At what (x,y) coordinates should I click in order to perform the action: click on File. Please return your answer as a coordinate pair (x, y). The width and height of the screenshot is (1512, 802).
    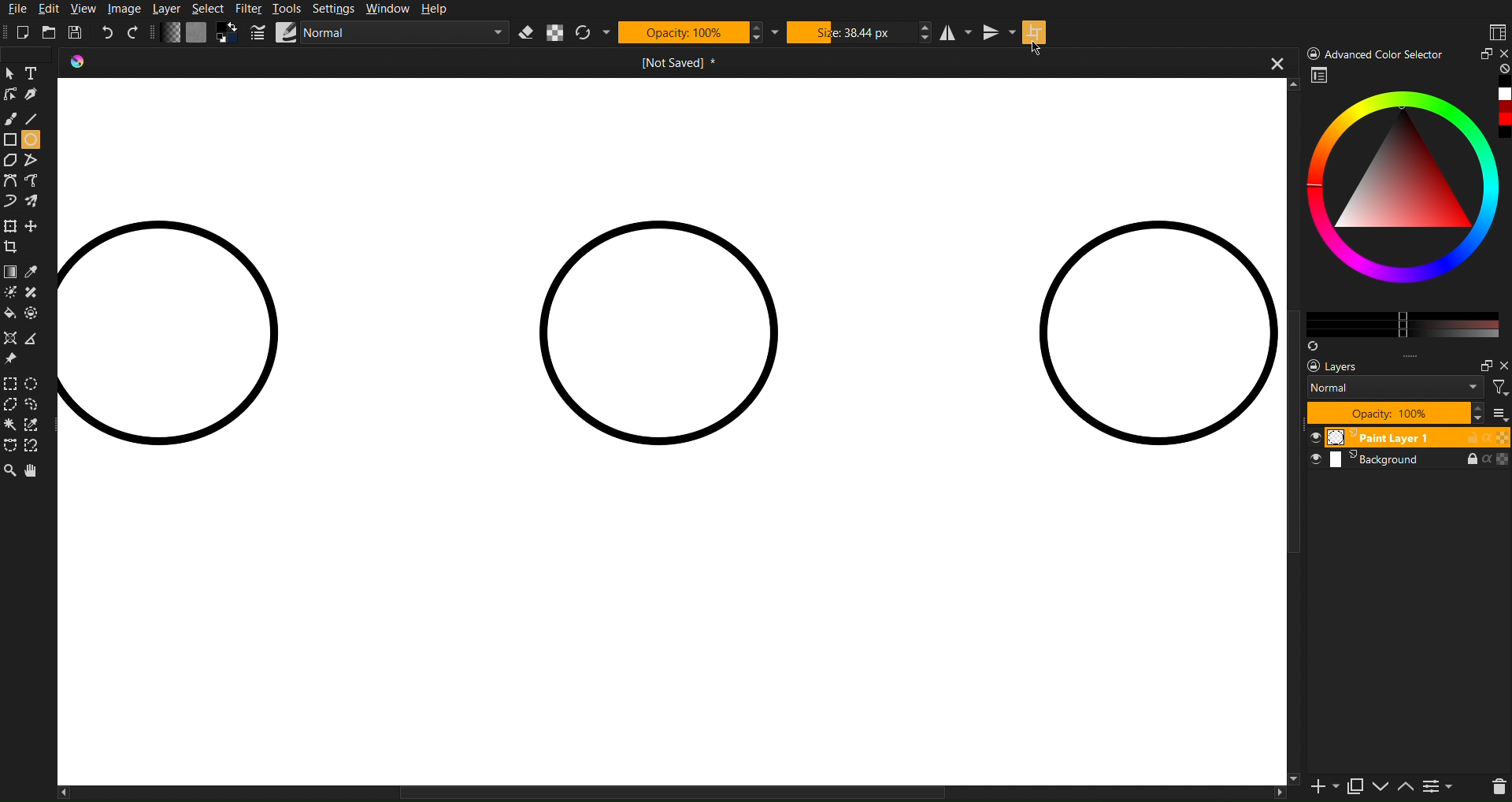
    Looking at the image, I should click on (15, 9).